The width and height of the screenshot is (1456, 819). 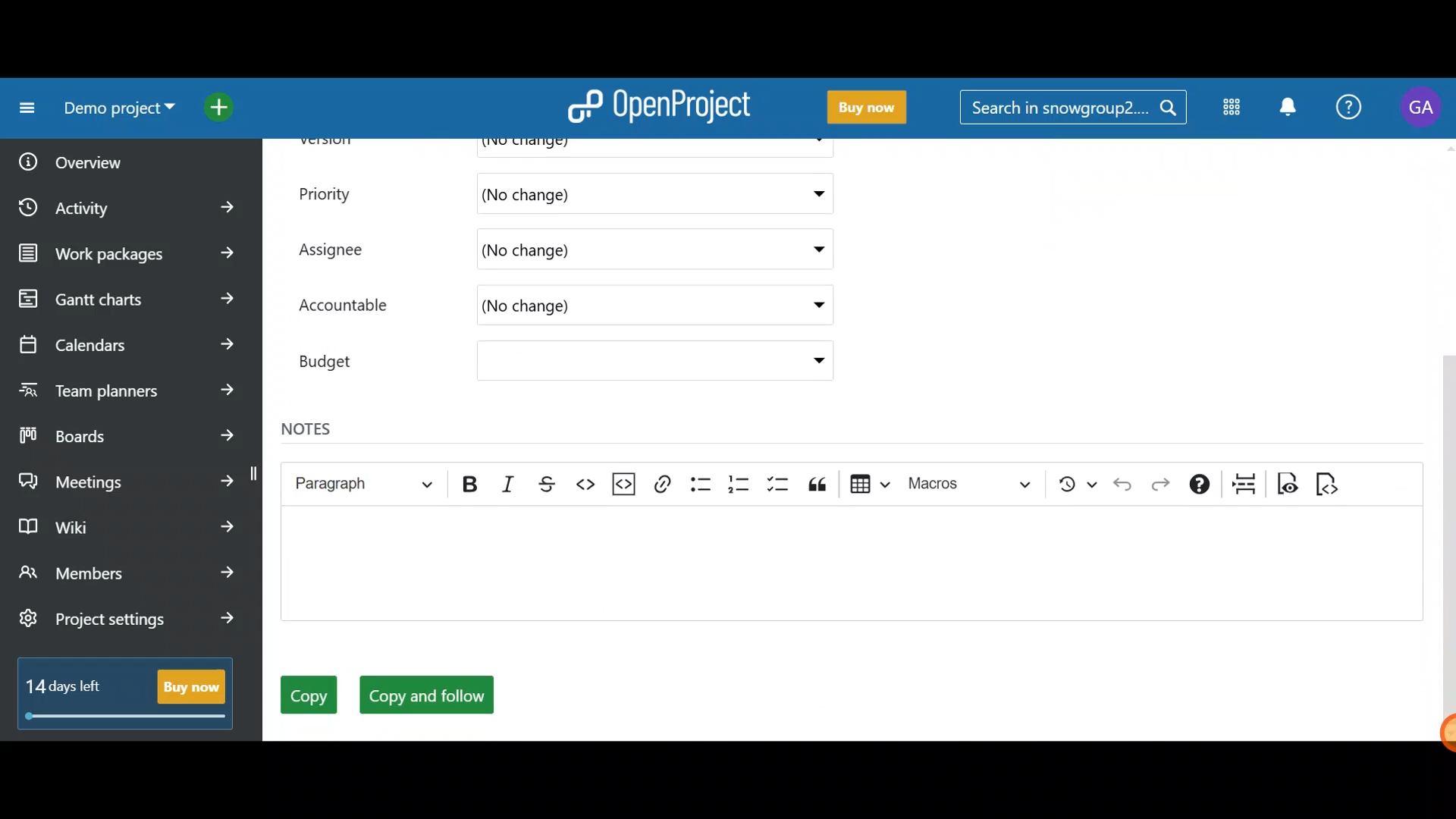 I want to click on OpenProject, so click(x=656, y=103).